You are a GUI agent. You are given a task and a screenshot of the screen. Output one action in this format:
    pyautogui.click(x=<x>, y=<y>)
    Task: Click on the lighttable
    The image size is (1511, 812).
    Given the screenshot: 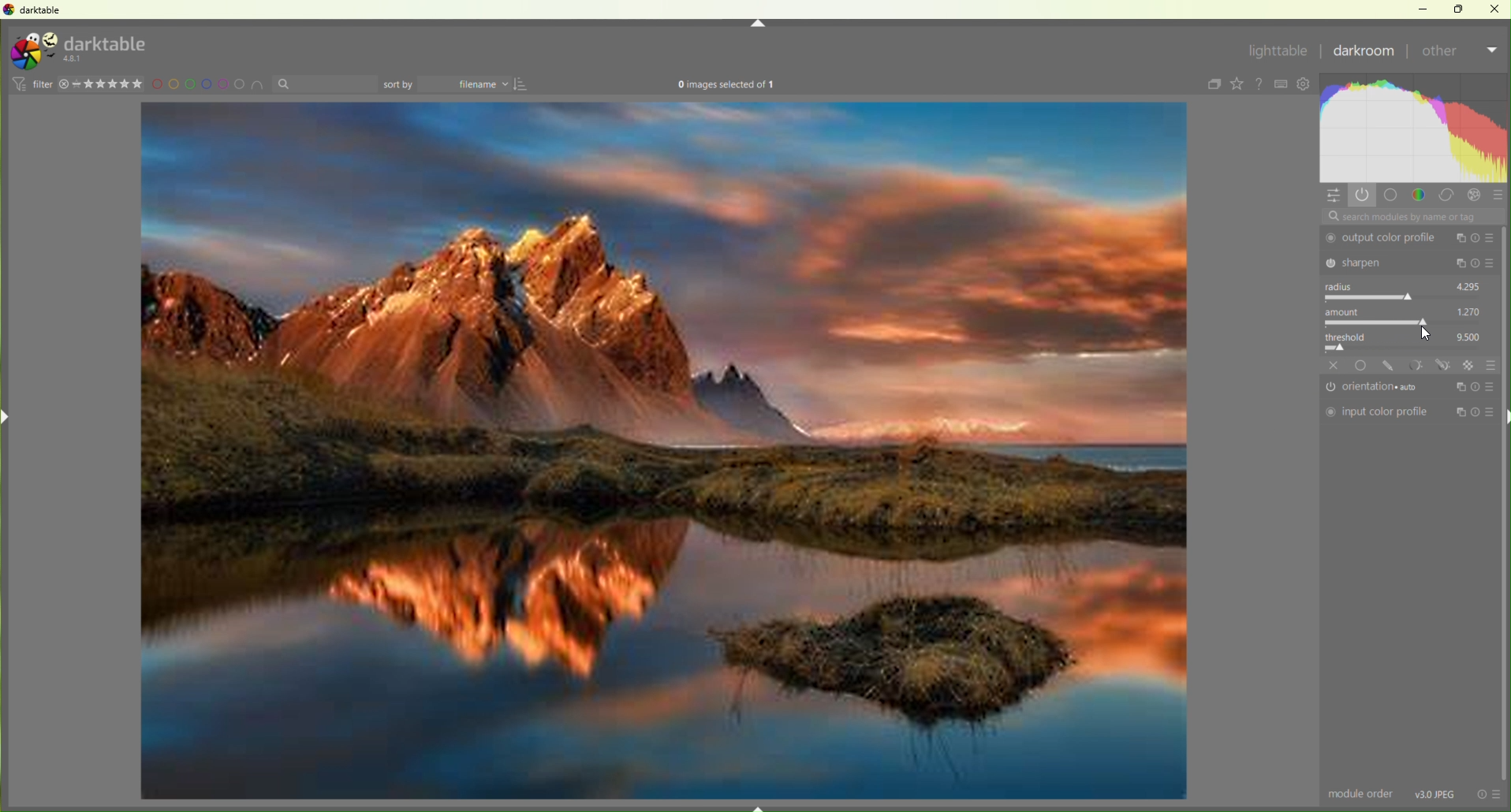 What is the action you would take?
    pyautogui.click(x=1277, y=54)
    